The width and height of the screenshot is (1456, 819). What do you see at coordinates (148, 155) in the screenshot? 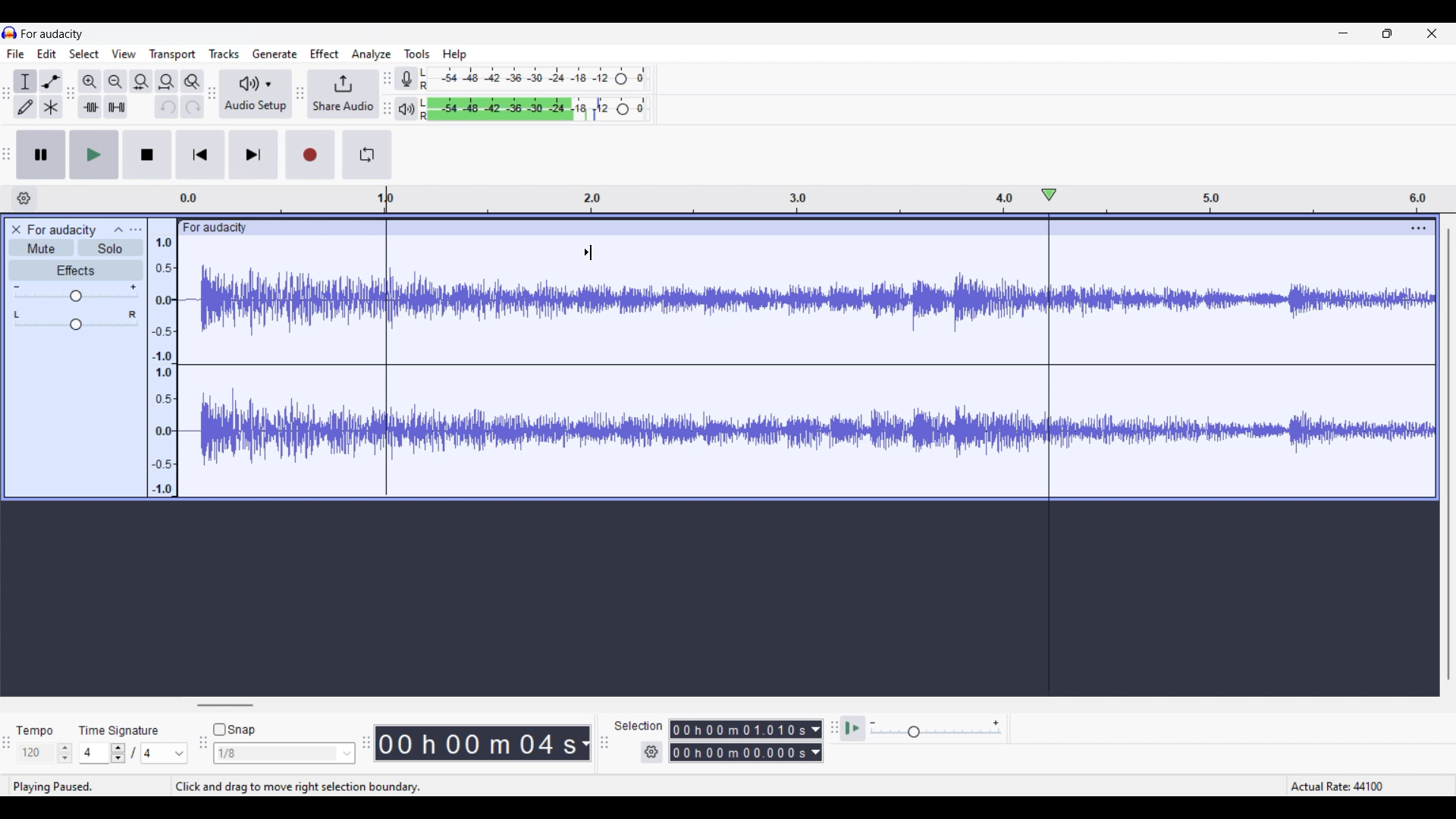
I see `Stop` at bounding box center [148, 155].